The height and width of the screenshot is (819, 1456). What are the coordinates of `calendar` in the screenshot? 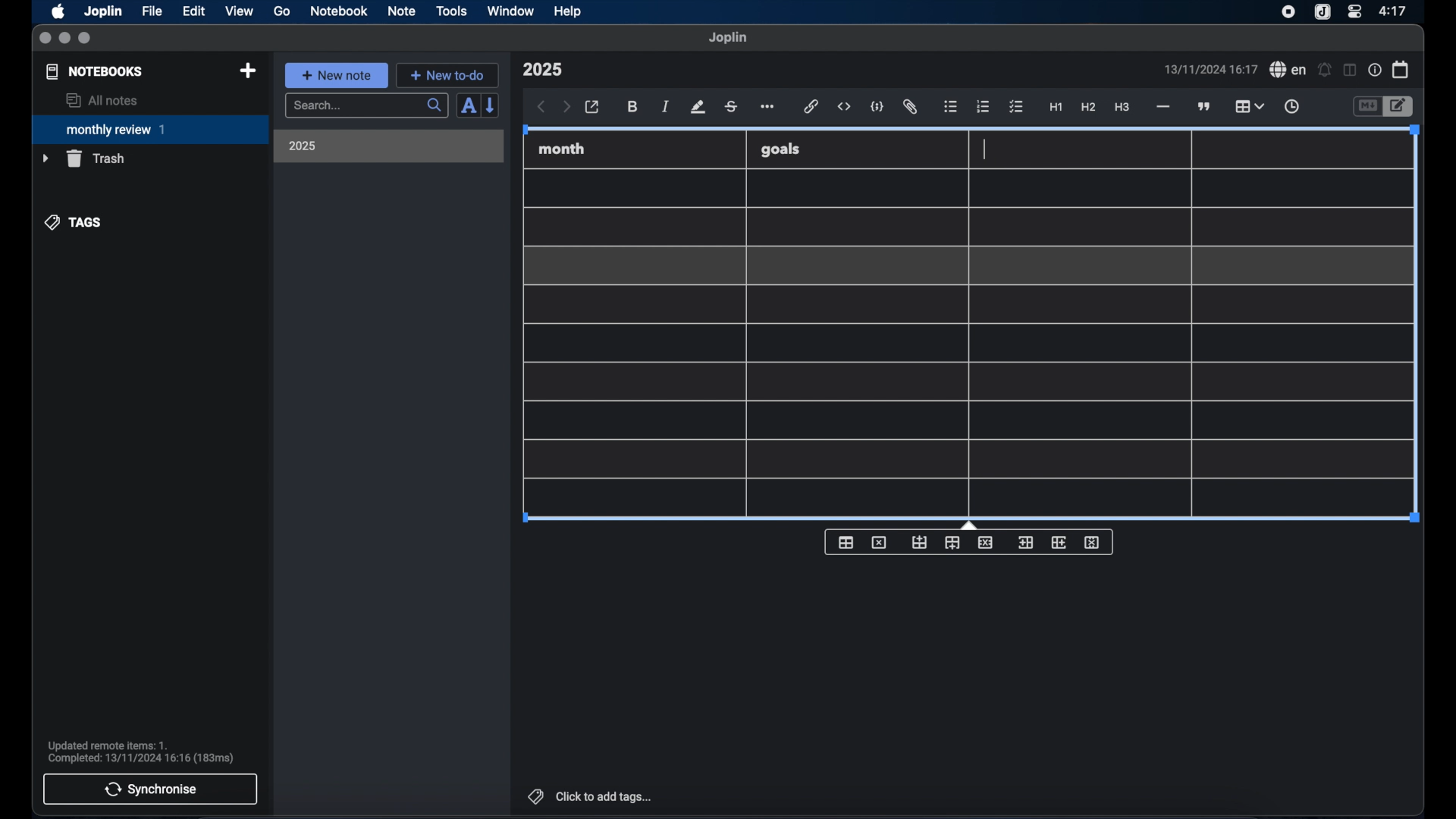 It's located at (1401, 69).